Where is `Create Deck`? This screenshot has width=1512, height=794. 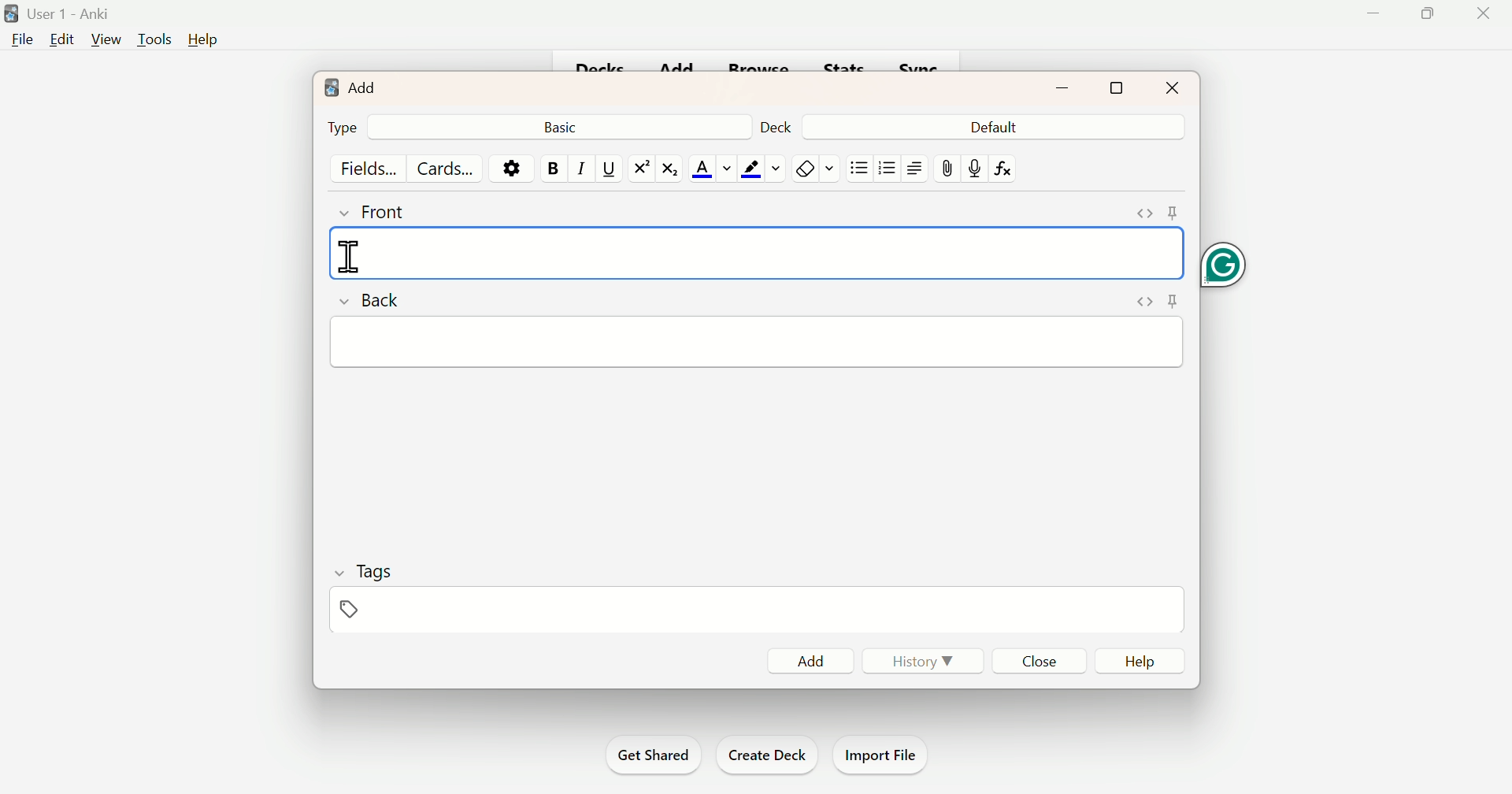
Create Deck is located at coordinates (766, 755).